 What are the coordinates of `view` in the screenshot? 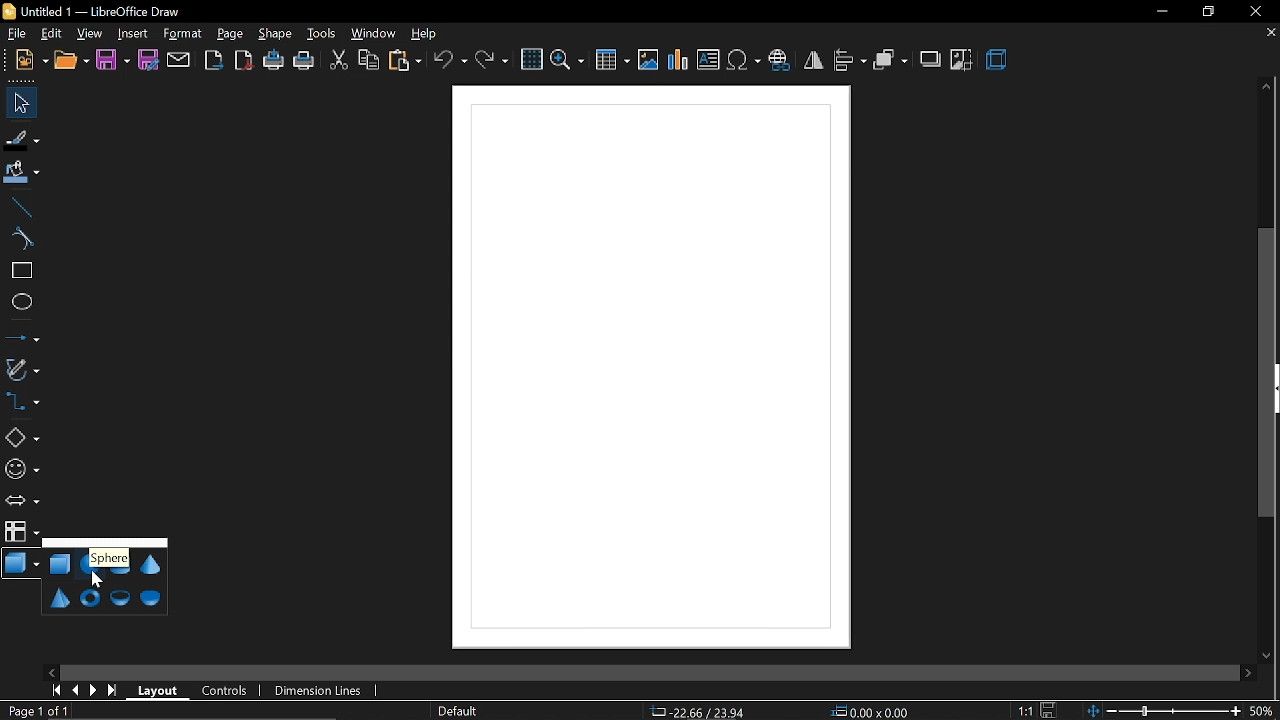 It's located at (90, 32).